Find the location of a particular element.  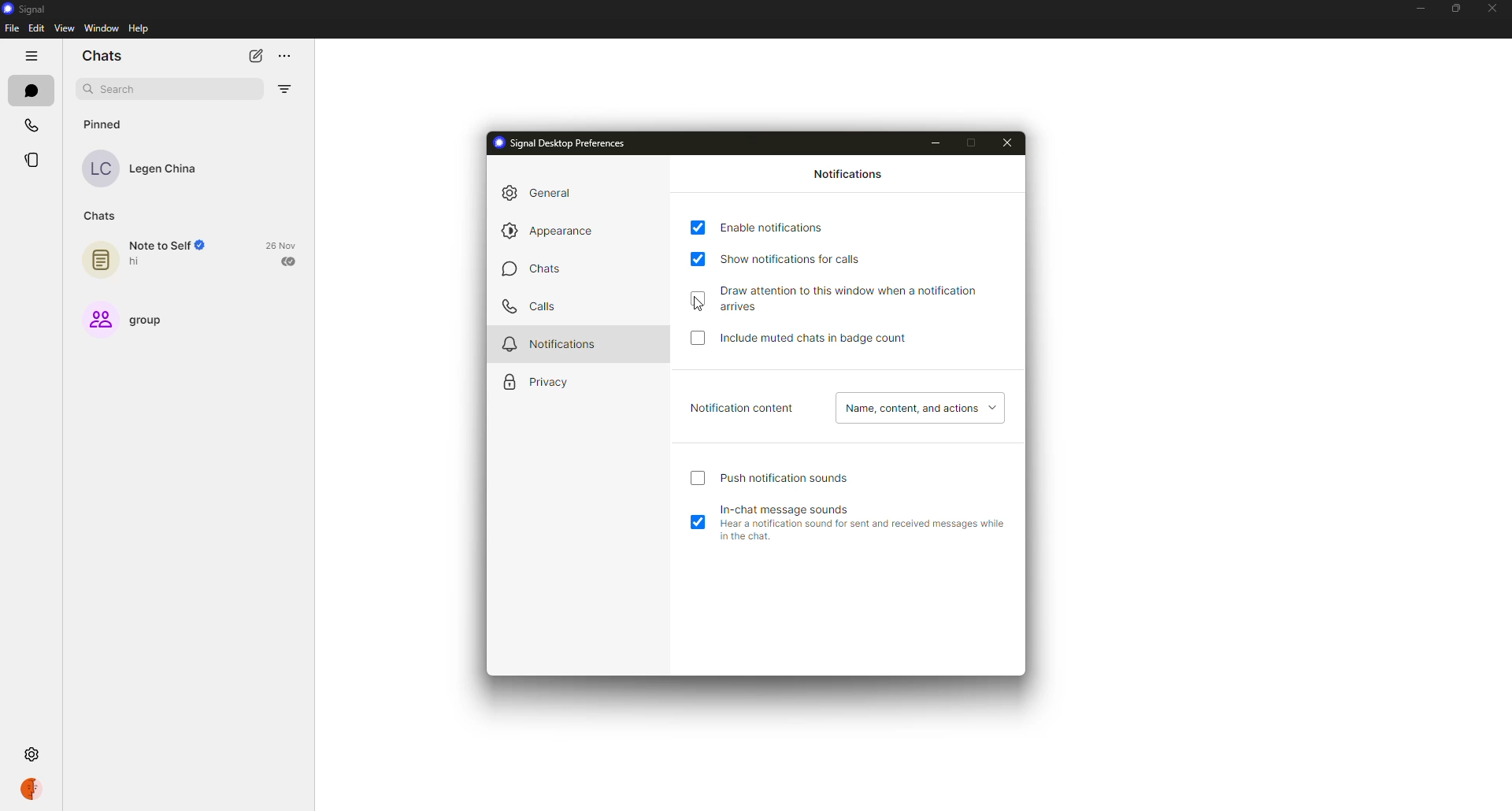

appearance is located at coordinates (554, 231).